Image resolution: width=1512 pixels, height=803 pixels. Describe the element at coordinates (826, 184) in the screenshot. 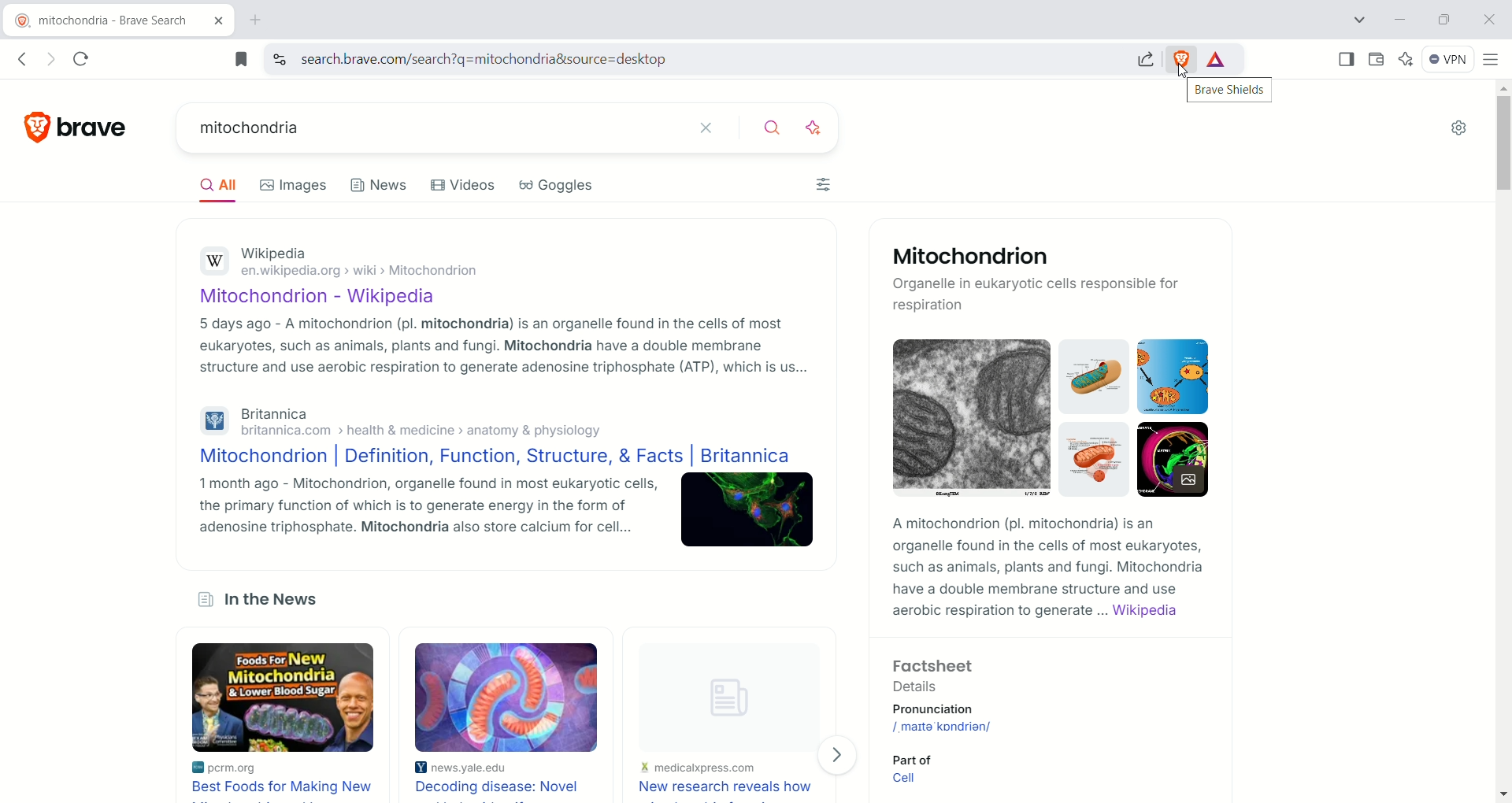

I see `Filters` at that location.